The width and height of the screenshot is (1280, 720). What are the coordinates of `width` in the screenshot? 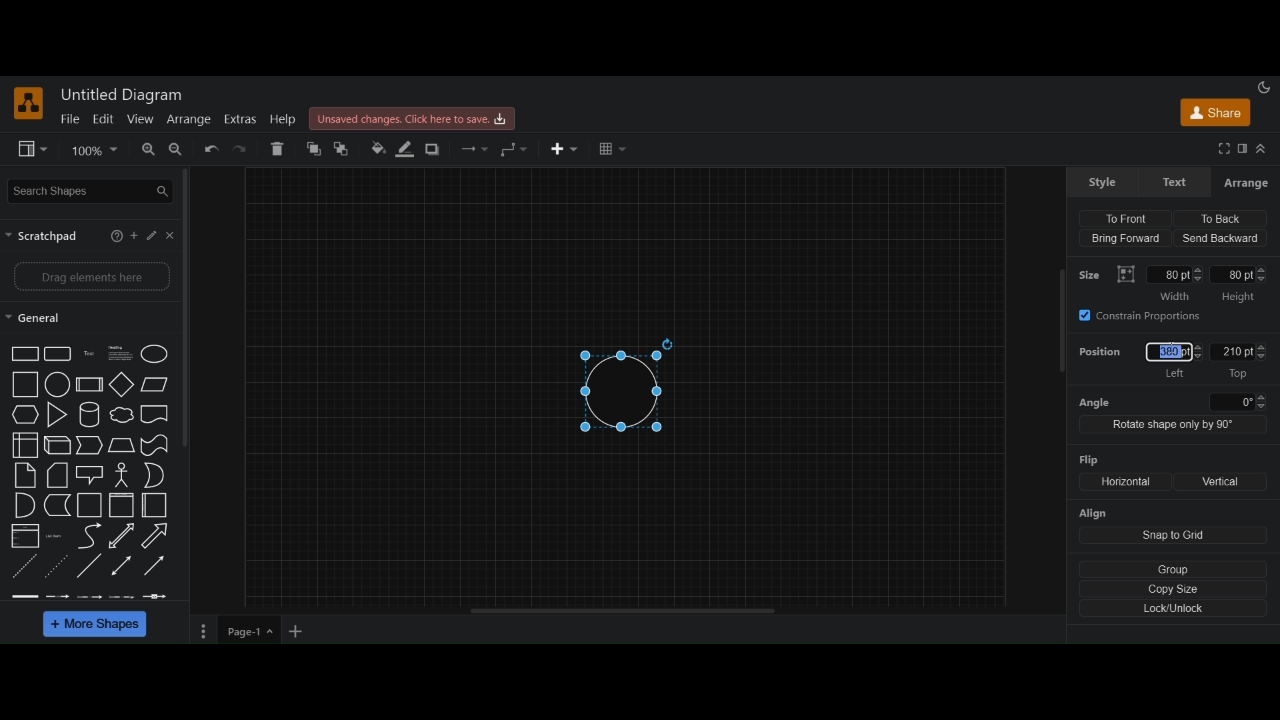 It's located at (1175, 283).